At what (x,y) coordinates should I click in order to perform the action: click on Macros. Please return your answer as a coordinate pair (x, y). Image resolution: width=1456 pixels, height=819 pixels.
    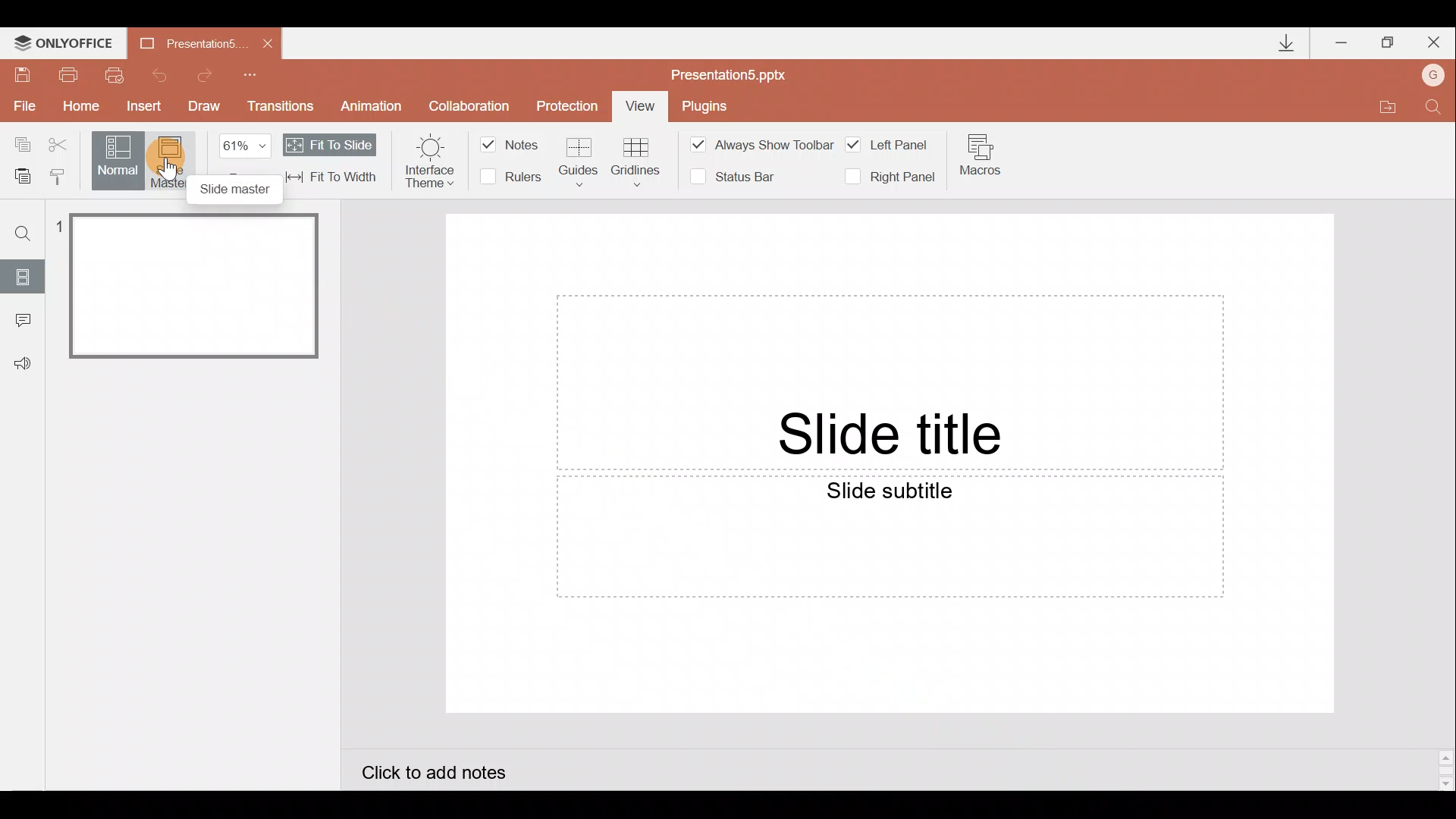
    Looking at the image, I should click on (993, 155).